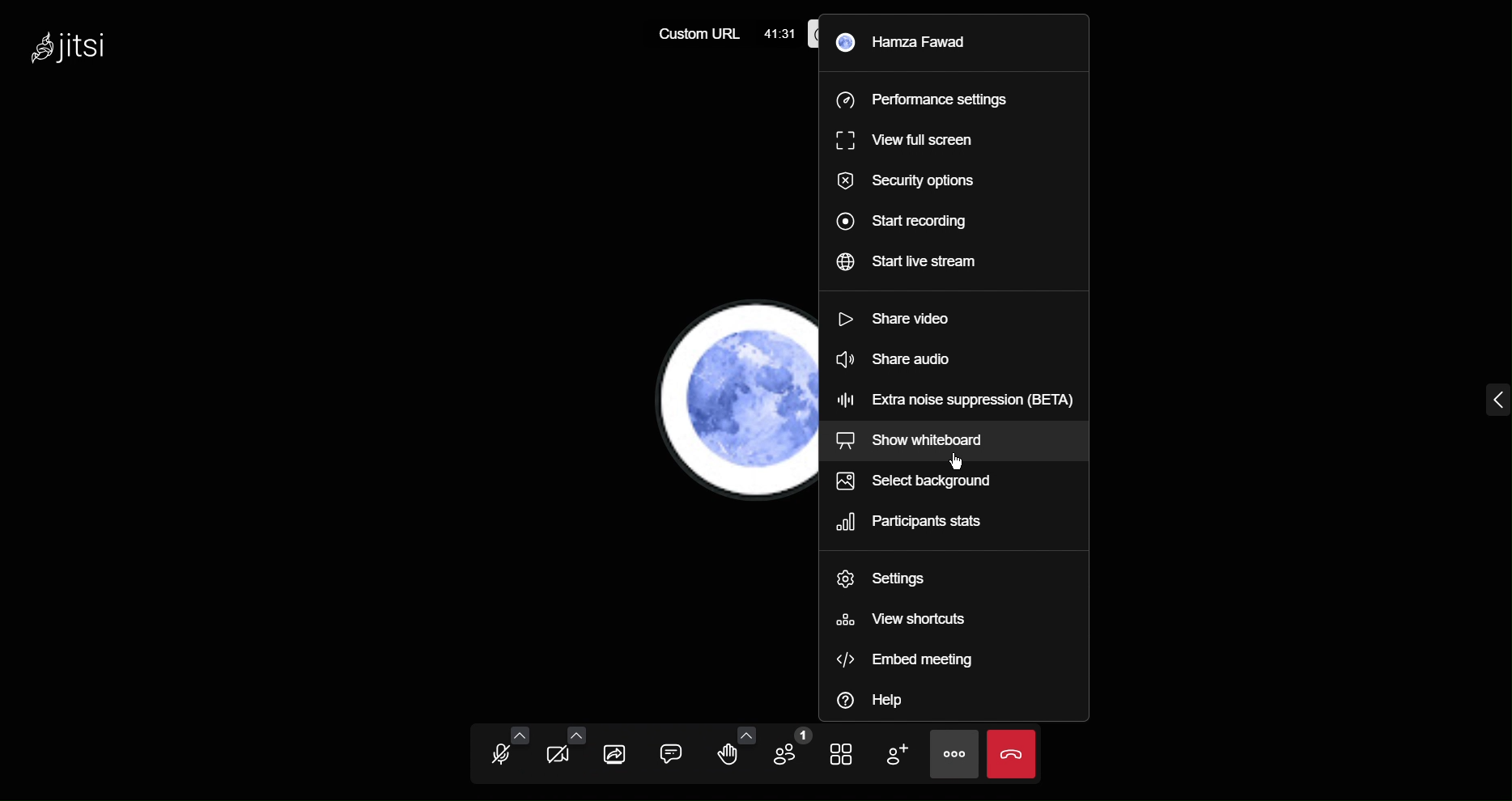 Image resolution: width=1512 pixels, height=801 pixels. What do you see at coordinates (901, 220) in the screenshot?
I see `Start exploring` at bounding box center [901, 220].